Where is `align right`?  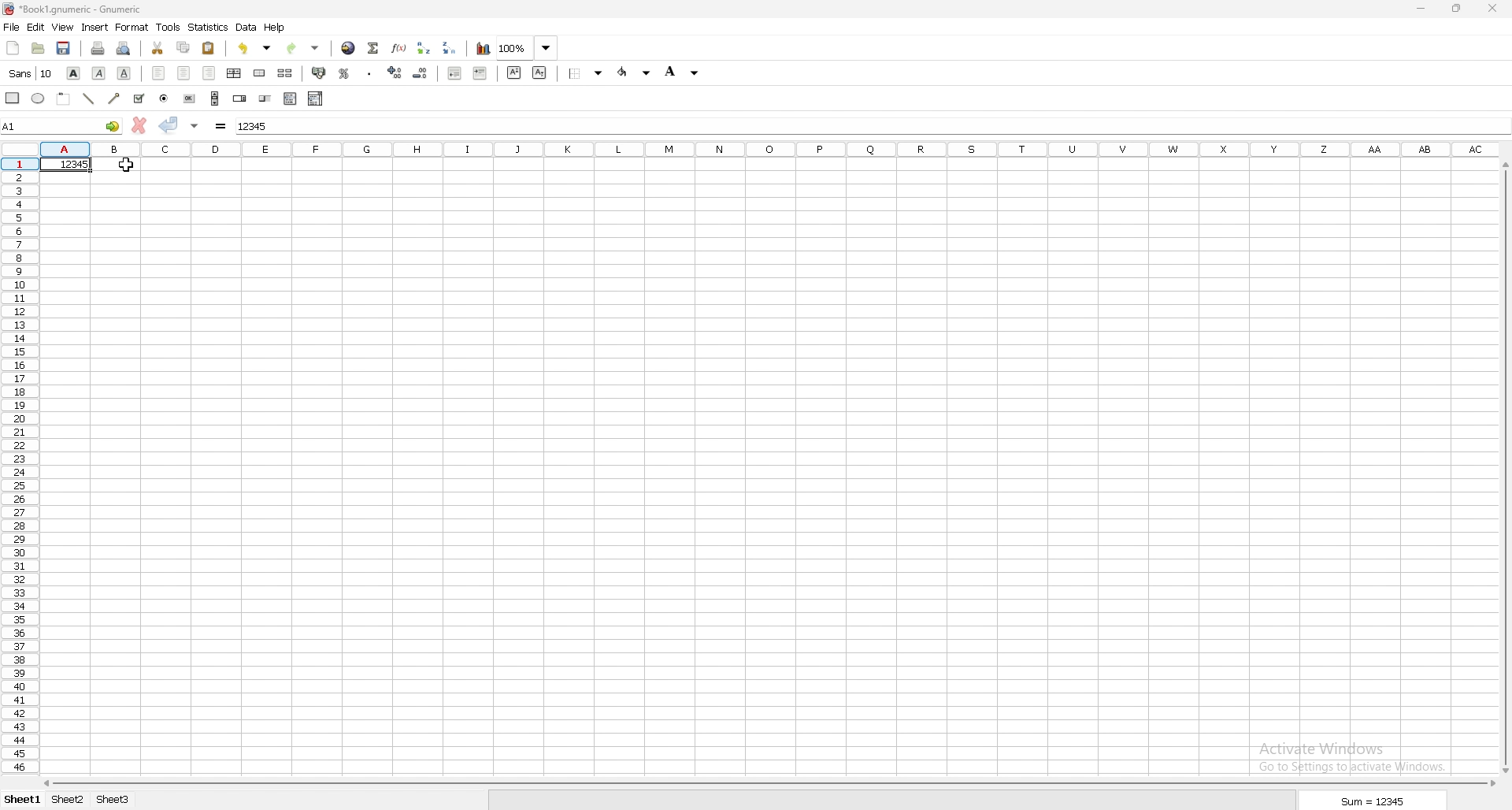
align right is located at coordinates (208, 73).